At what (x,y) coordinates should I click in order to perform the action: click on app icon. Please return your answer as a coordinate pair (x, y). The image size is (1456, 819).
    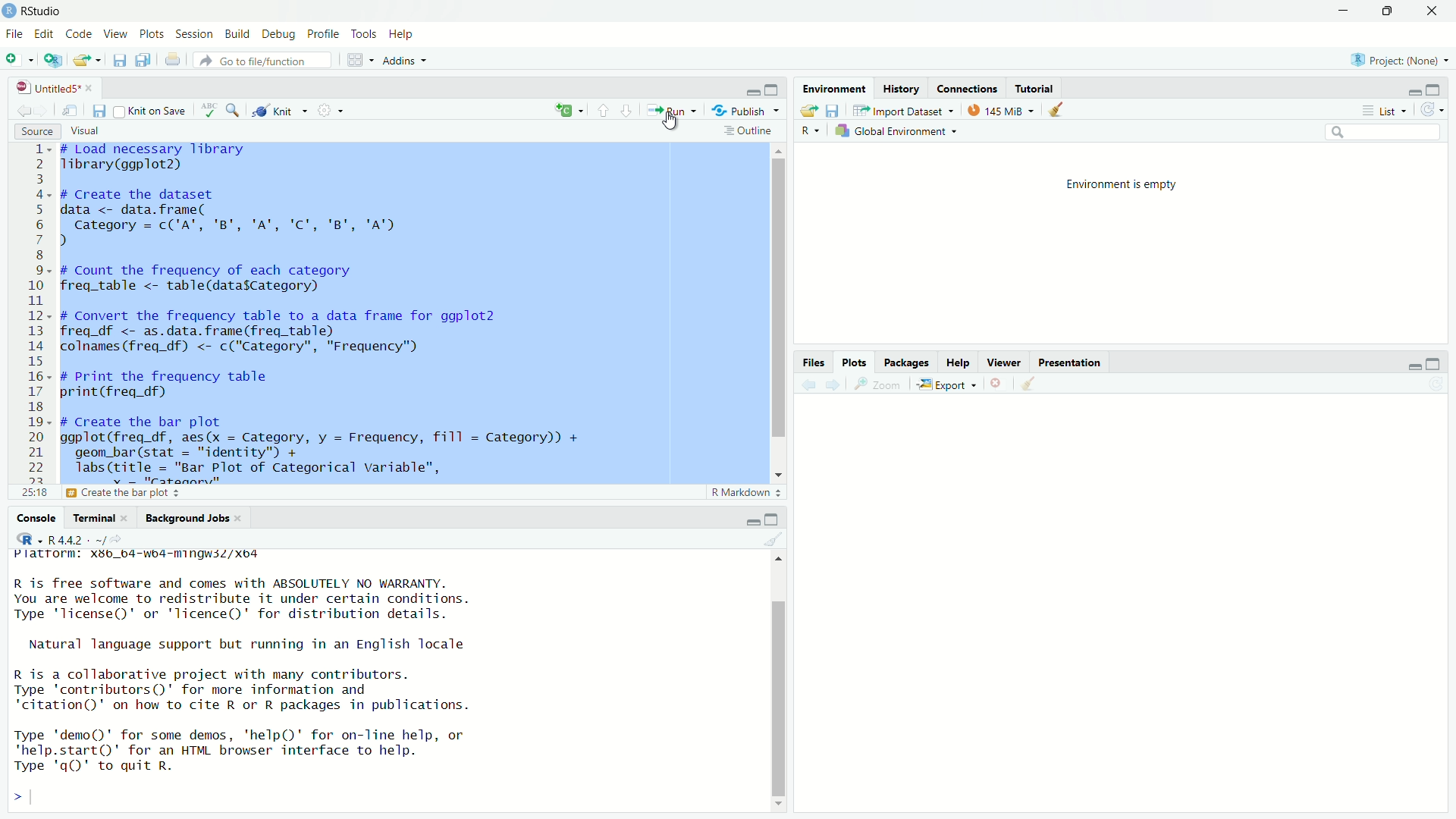
    Looking at the image, I should click on (9, 11).